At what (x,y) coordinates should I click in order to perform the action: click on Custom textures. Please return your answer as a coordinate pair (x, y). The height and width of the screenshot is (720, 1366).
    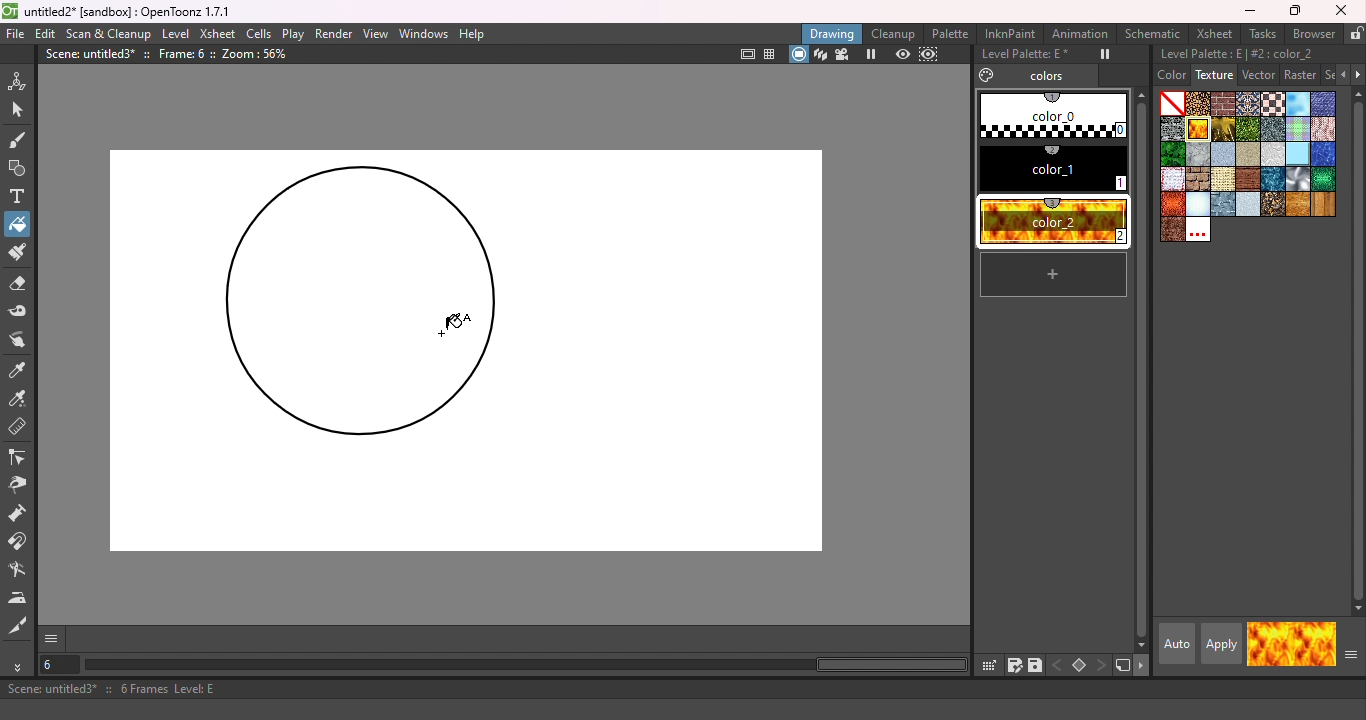
    Looking at the image, I should click on (1199, 231).